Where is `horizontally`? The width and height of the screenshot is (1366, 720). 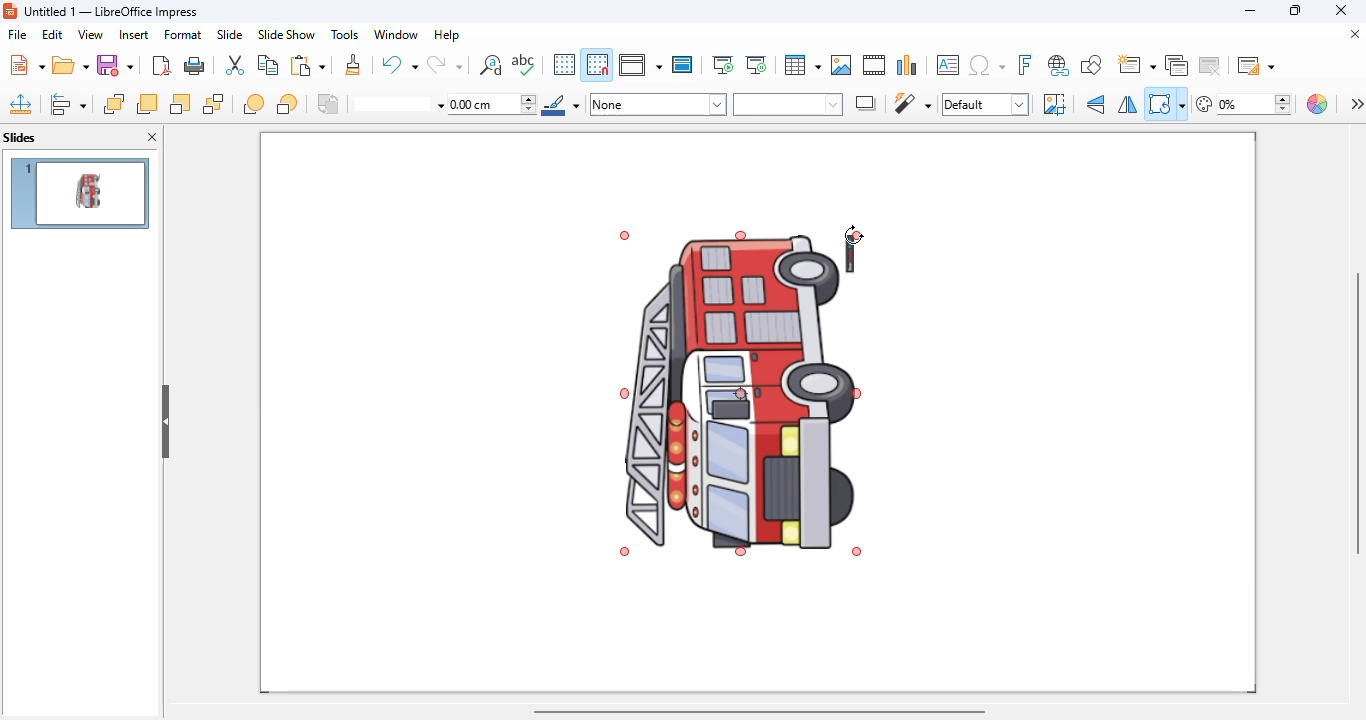 horizontally is located at coordinates (1127, 105).